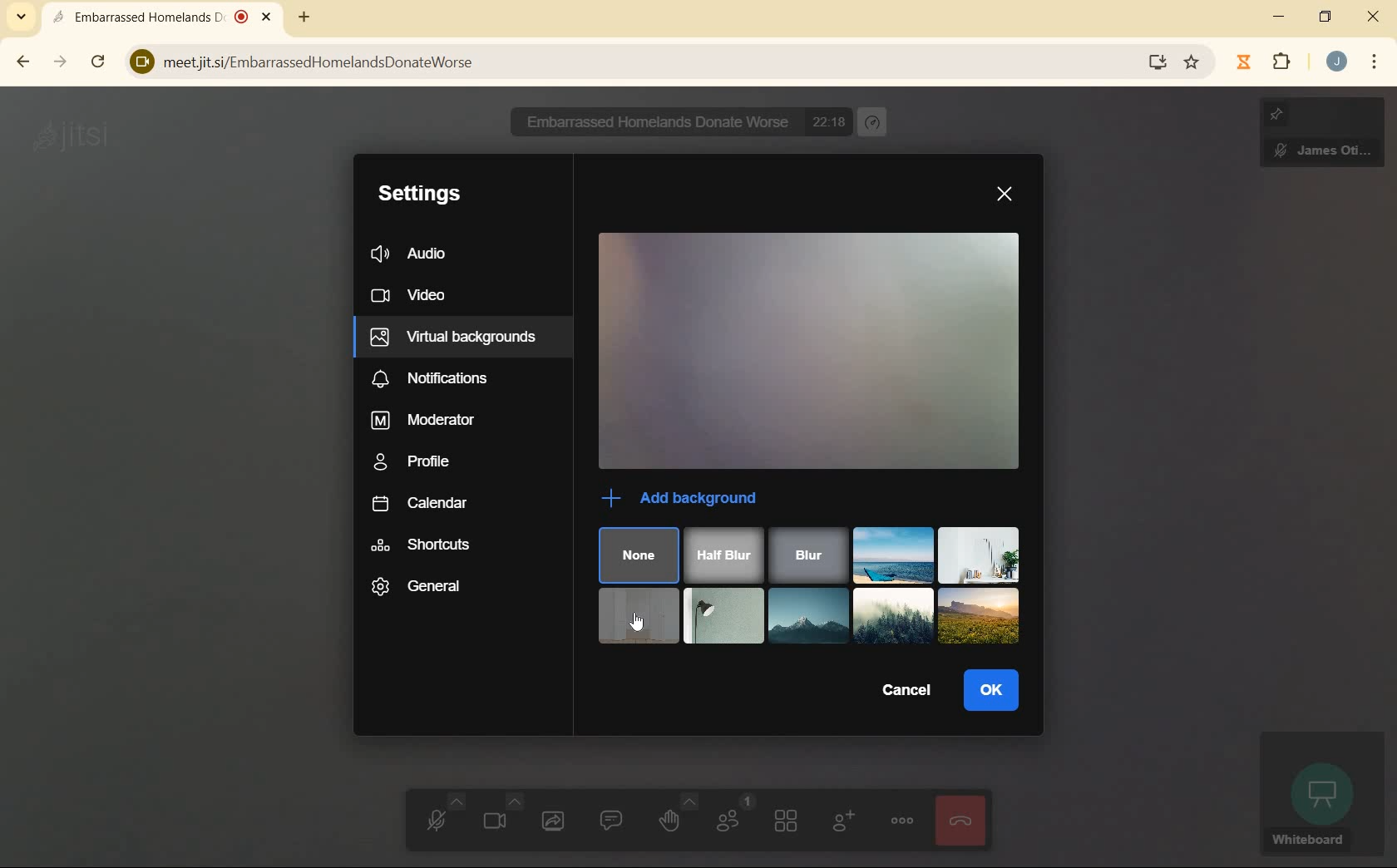 The height and width of the screenshot is (868, 1397). I want to click on blur, so click(805, 555).